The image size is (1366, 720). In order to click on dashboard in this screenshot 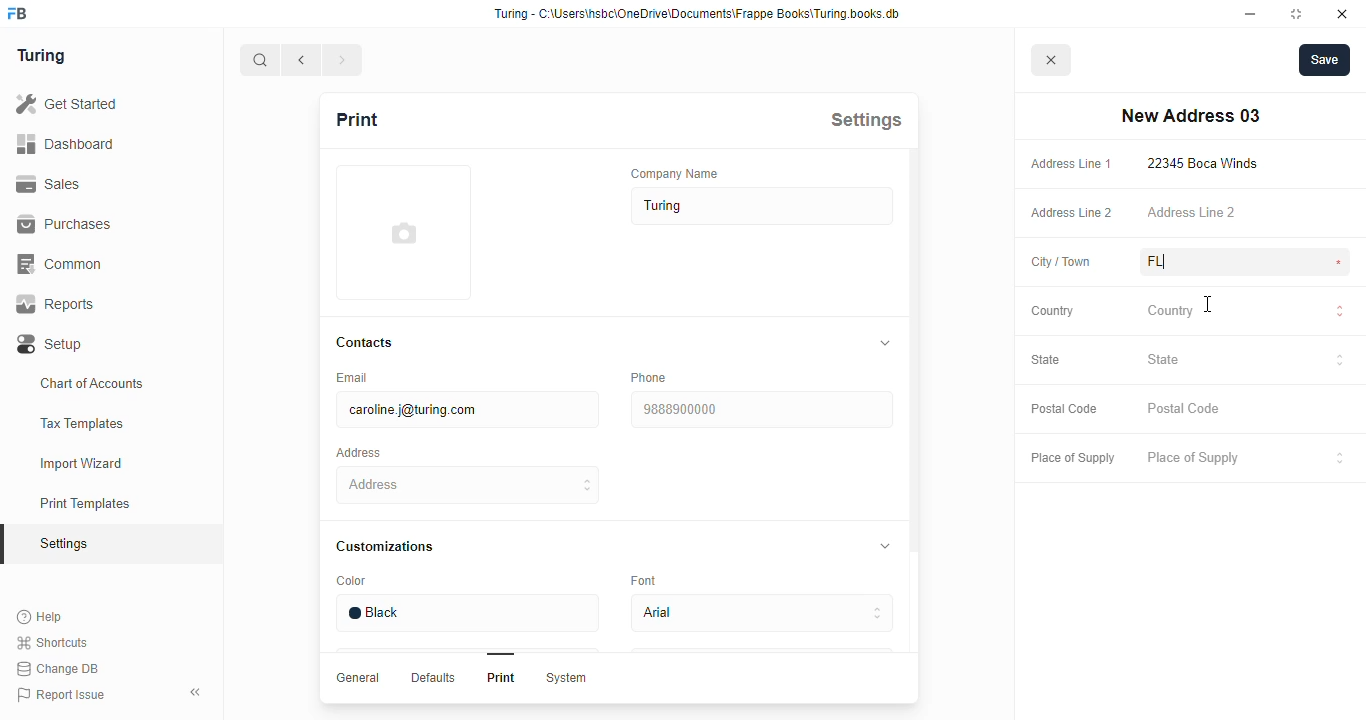, I will do `click(65, 143)`.